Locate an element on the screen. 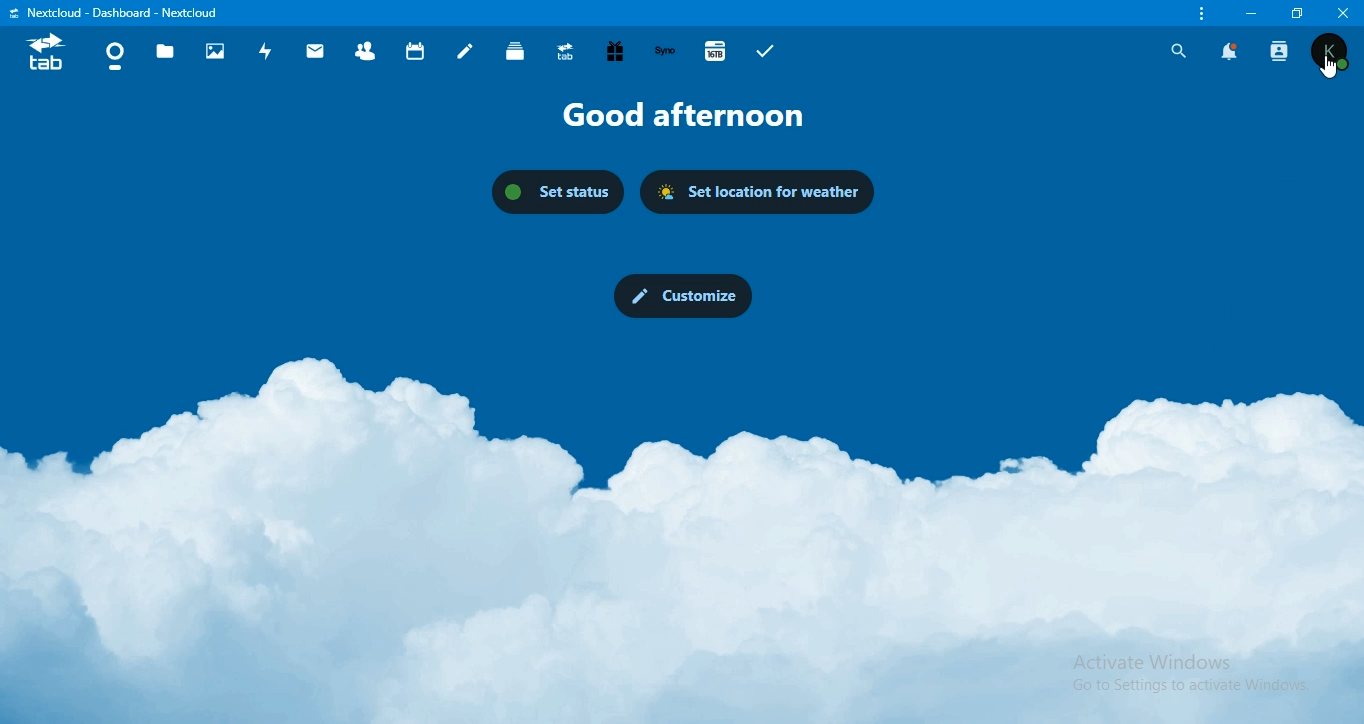 The height and width of the screenshot is (724, 1364). notes is located at coordinates (466, 51).